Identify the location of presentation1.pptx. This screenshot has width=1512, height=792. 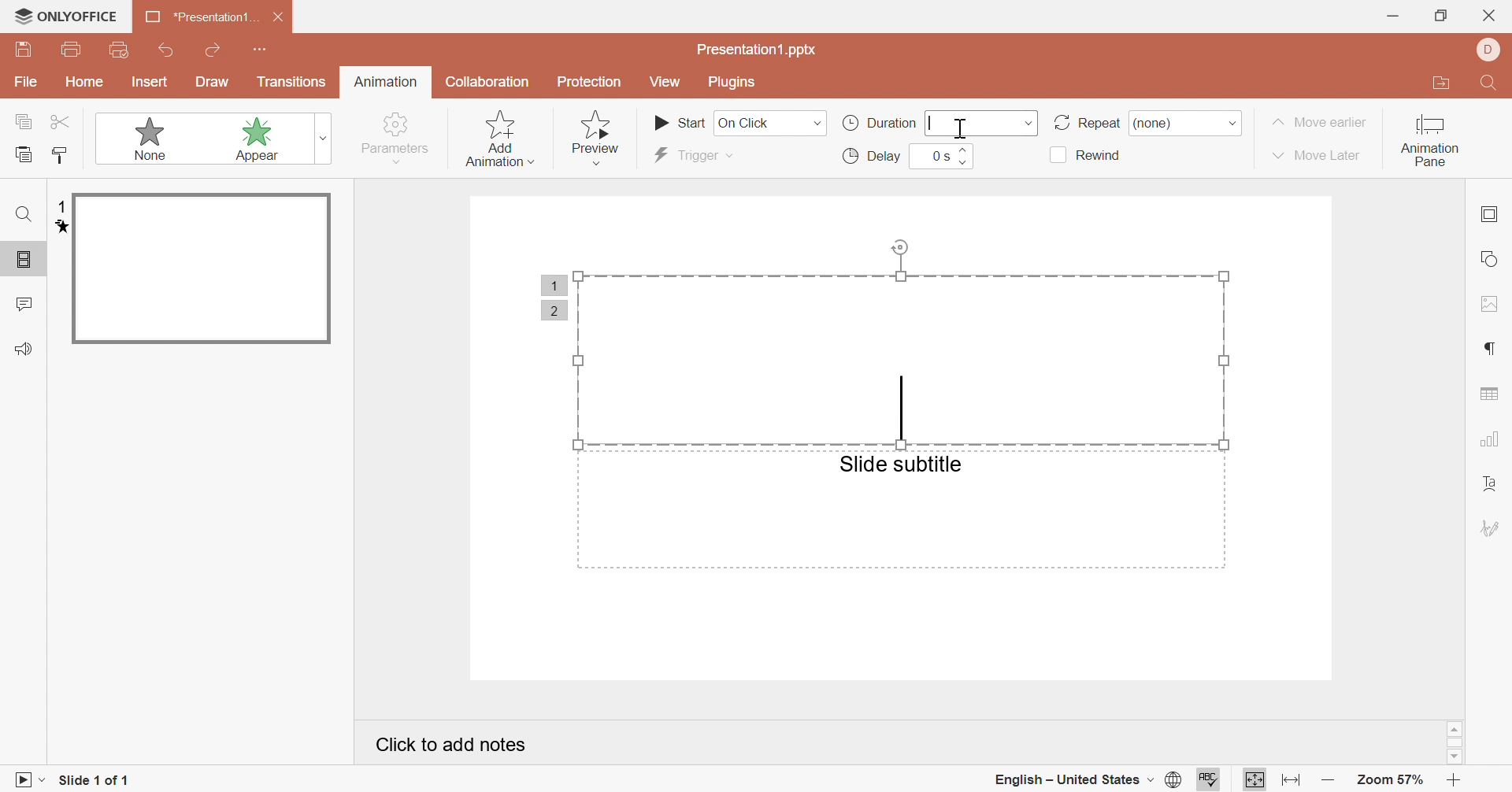
(759, 50).